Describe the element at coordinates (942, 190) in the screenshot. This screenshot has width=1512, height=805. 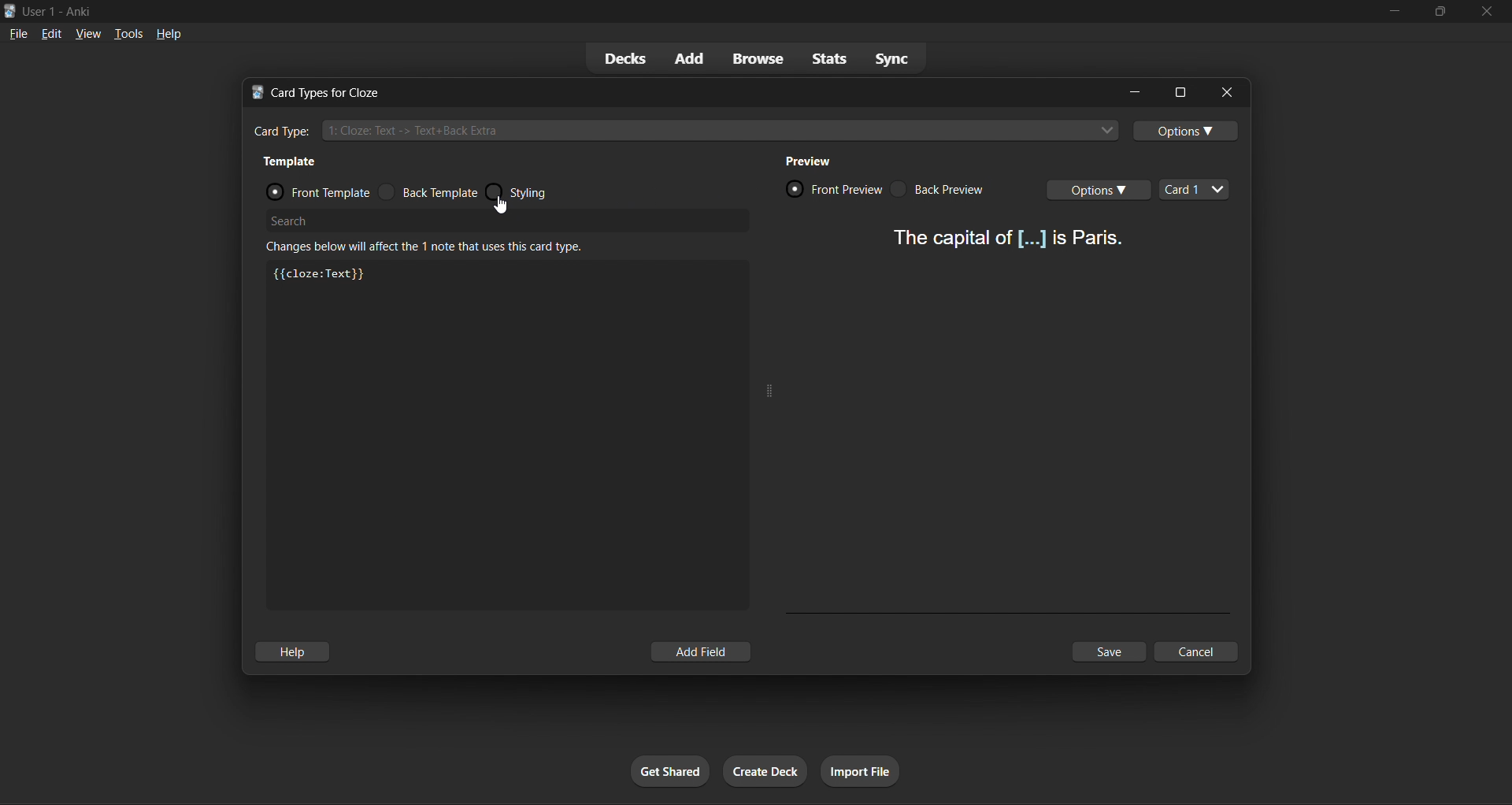
I see `card back preview` at that location.